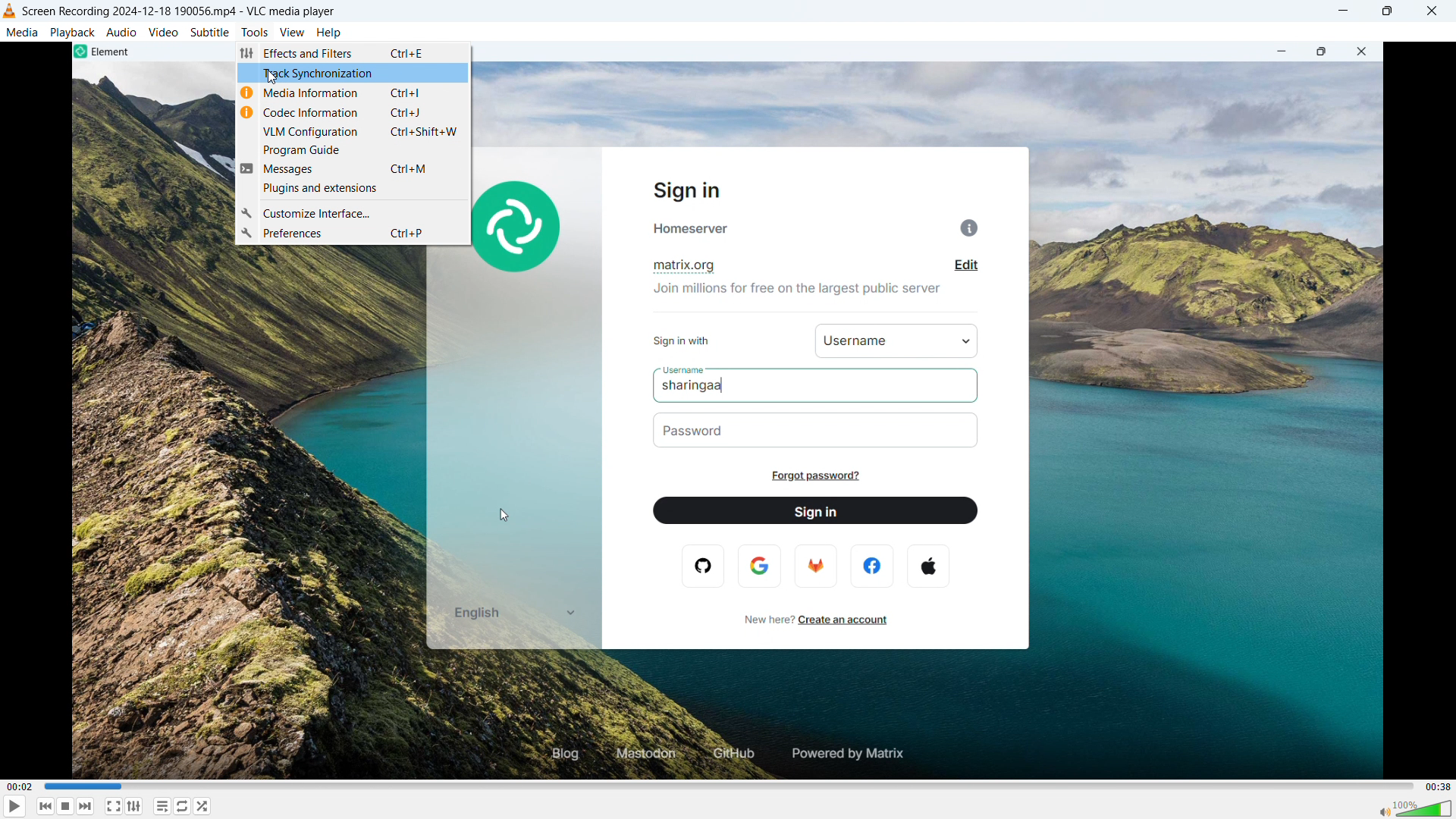 Image resolution: width=1456 pixels, height=819 pixels. What do you see at coordinates (10, 11) in the screenshot?
I see `vlc media player logo` at bounding box center [10, 11].